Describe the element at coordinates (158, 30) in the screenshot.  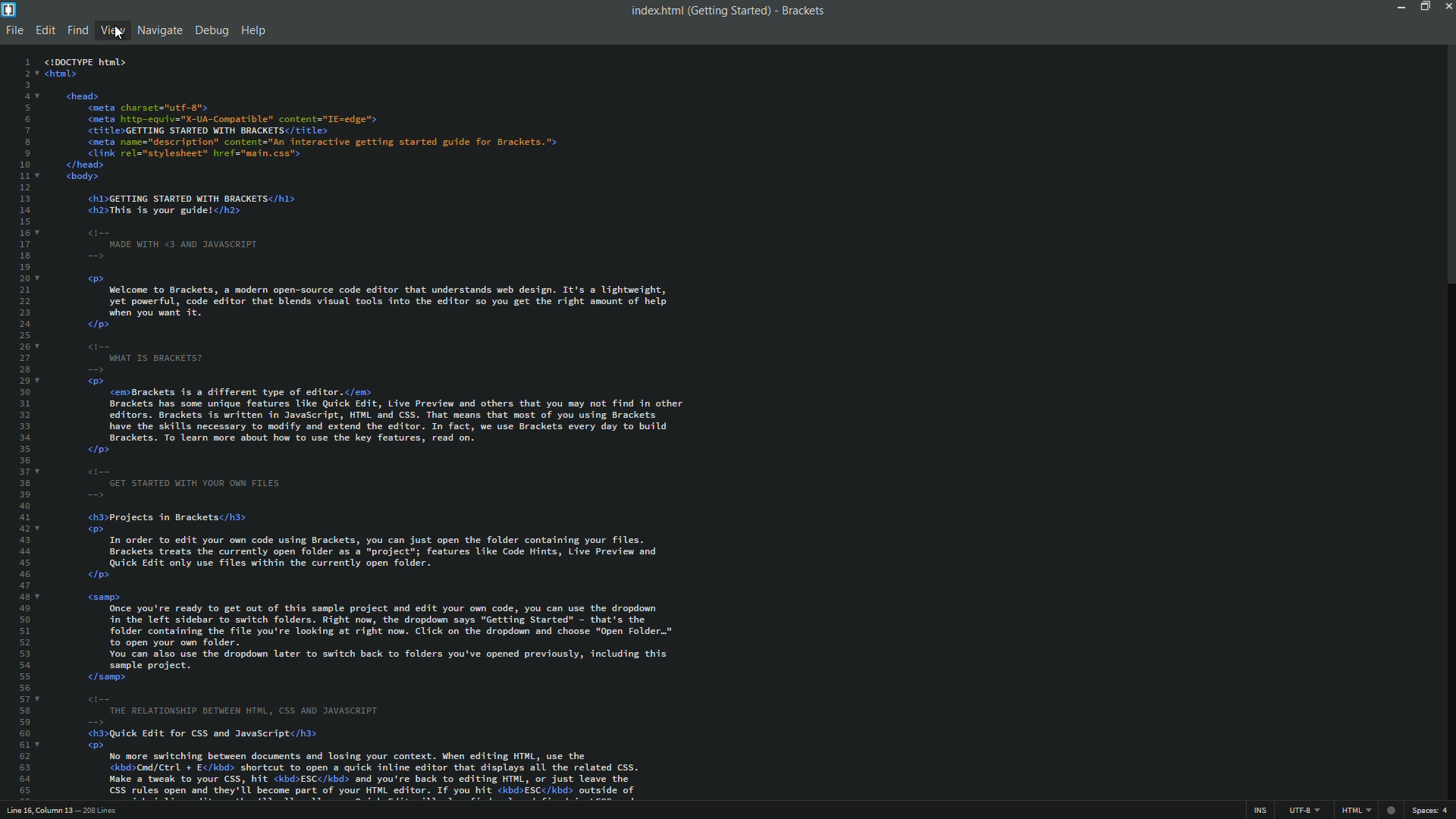
I see `navigate menu` at that location.